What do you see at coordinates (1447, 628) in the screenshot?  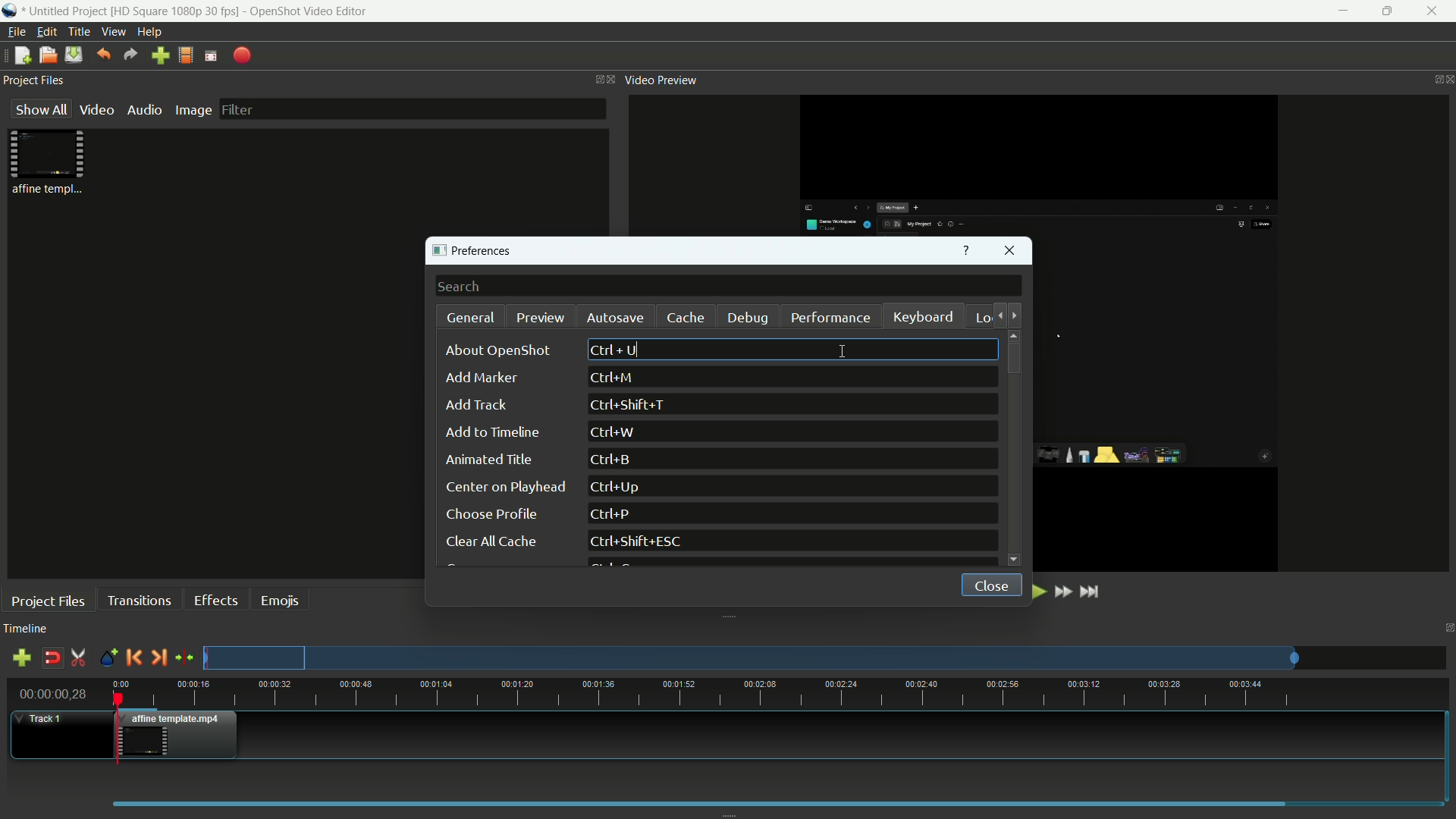 I see `close timeline` at bounding box center [1447, 628].